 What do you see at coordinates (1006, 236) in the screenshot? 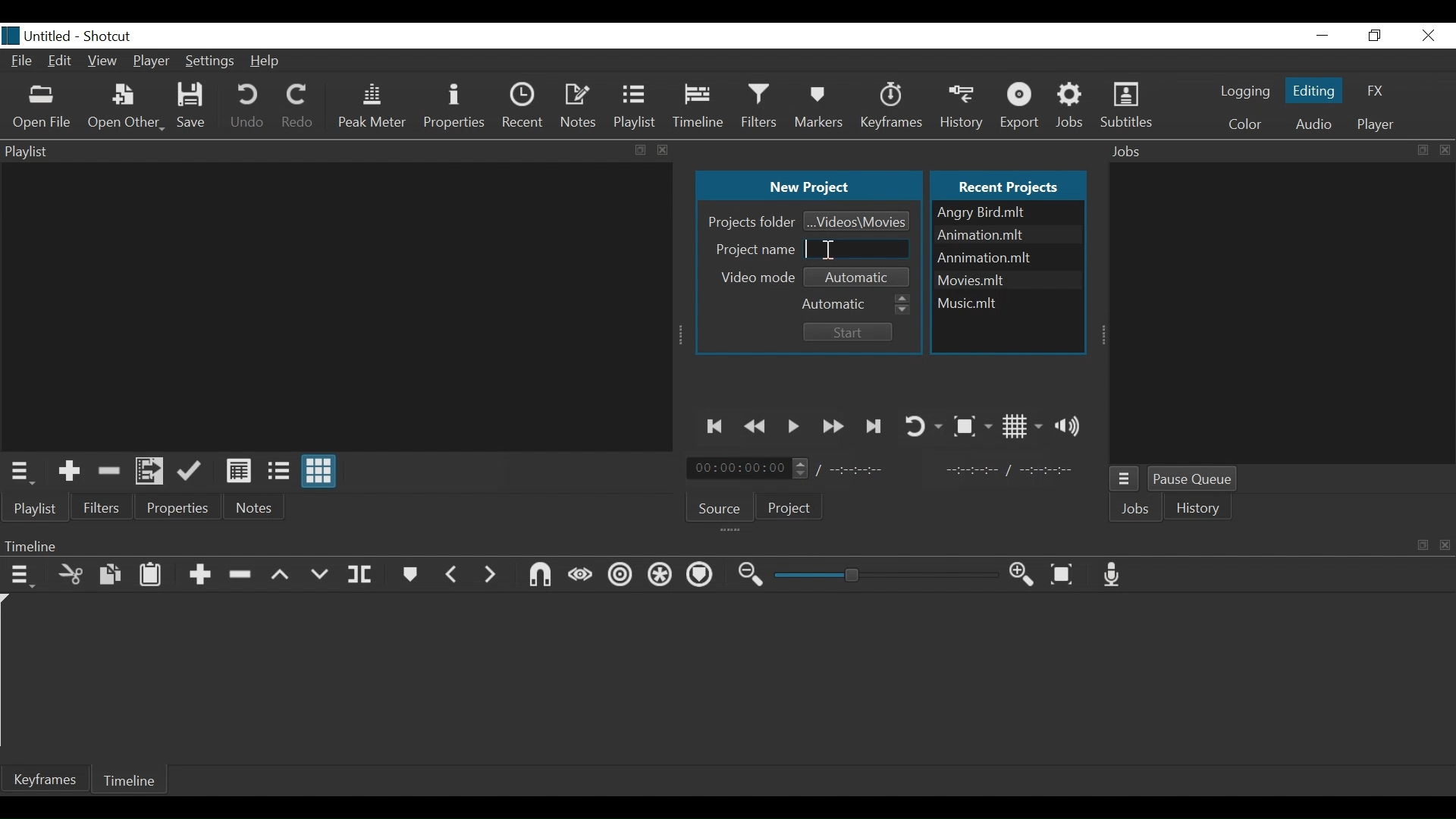
I see `File name` at bounding box center [1006, 236].